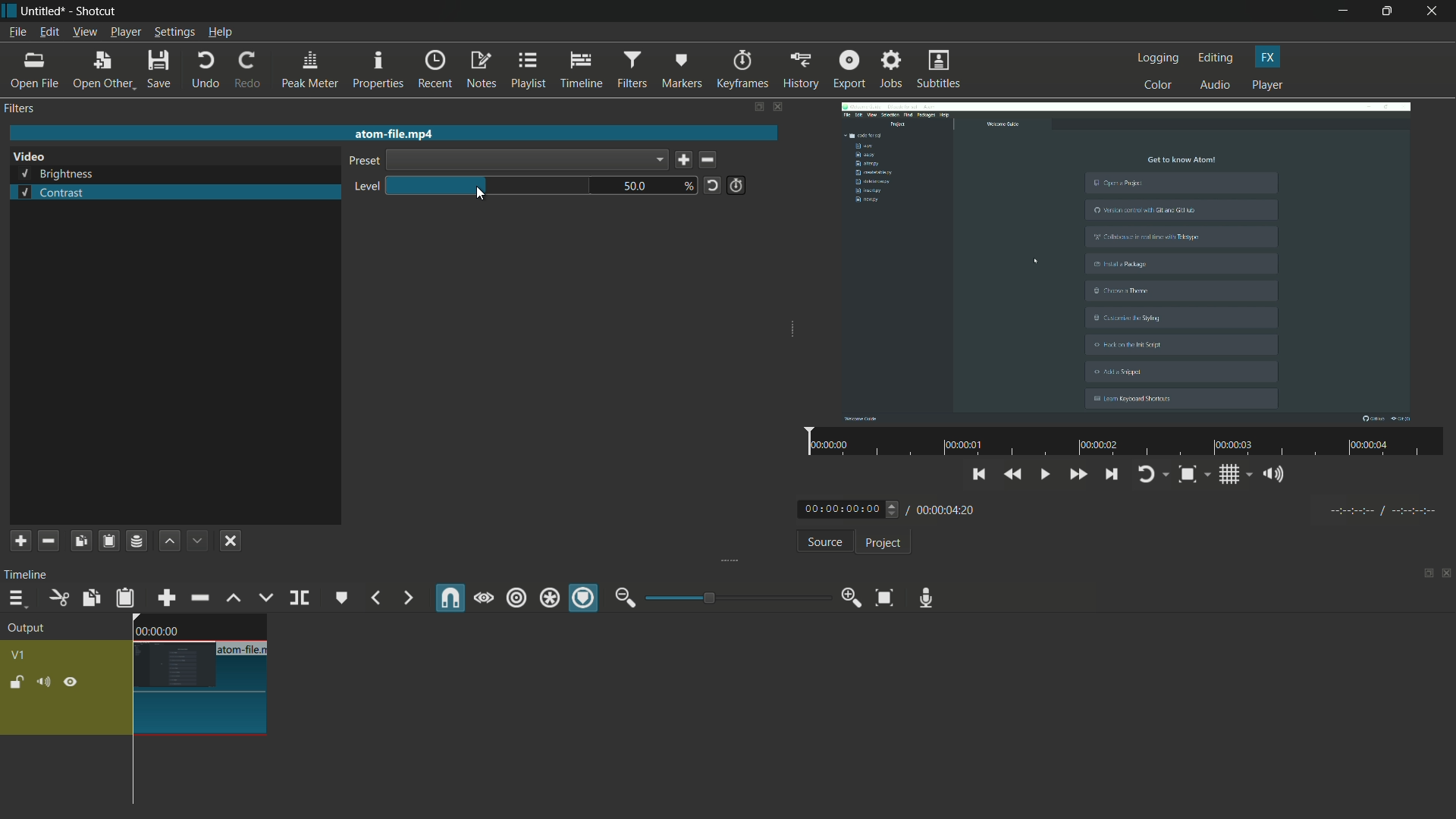  I want to click on minimize, so click(1343, 11).